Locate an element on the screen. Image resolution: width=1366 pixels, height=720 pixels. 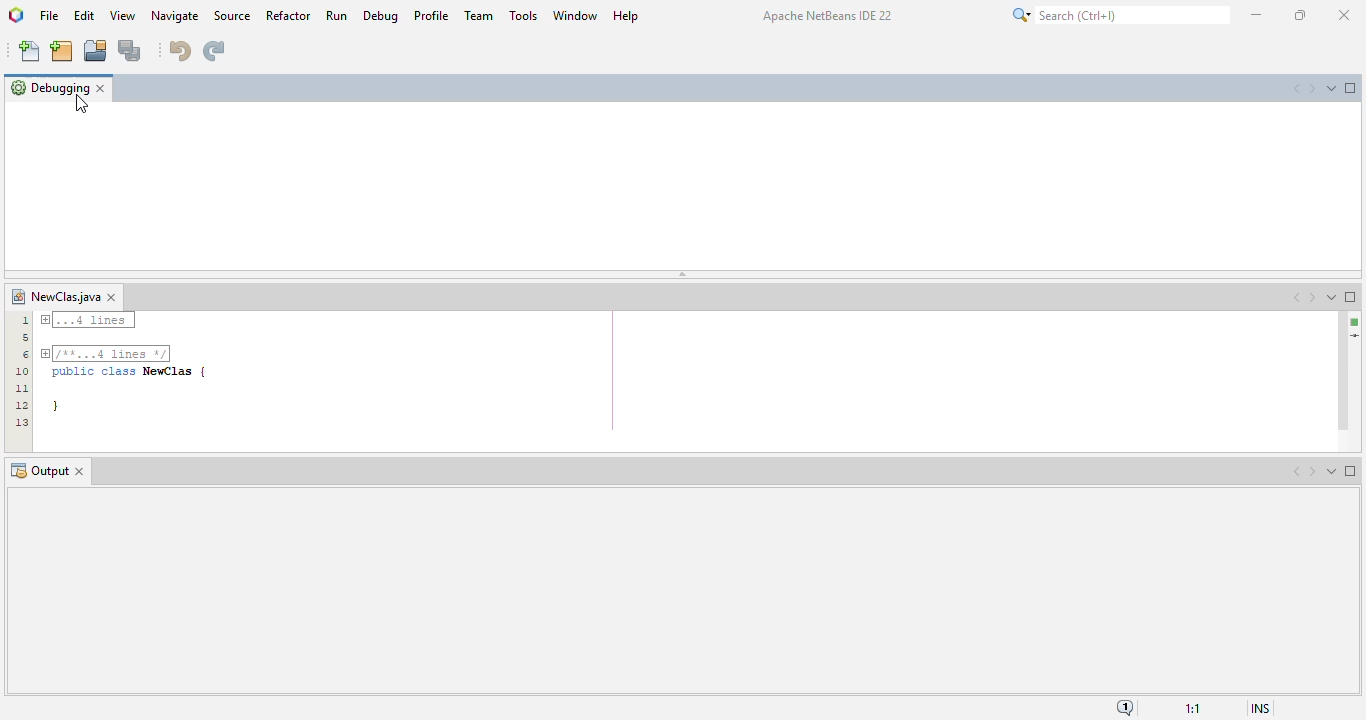
--.4 Lines |
TTT]
public class NewClas |
} is located at coordinates (127, 366).